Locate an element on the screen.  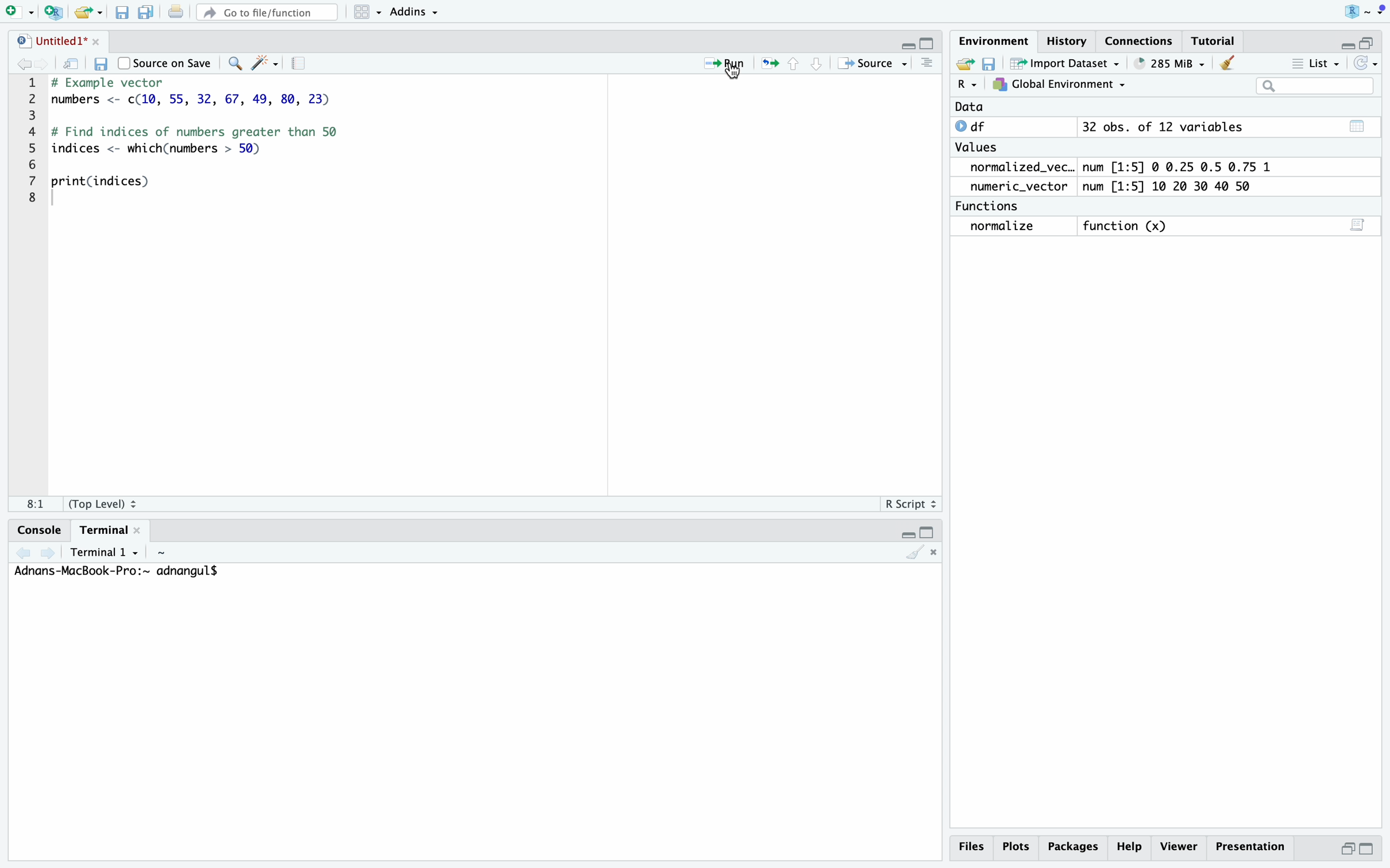
save current file is located at coordinates (120, 11).